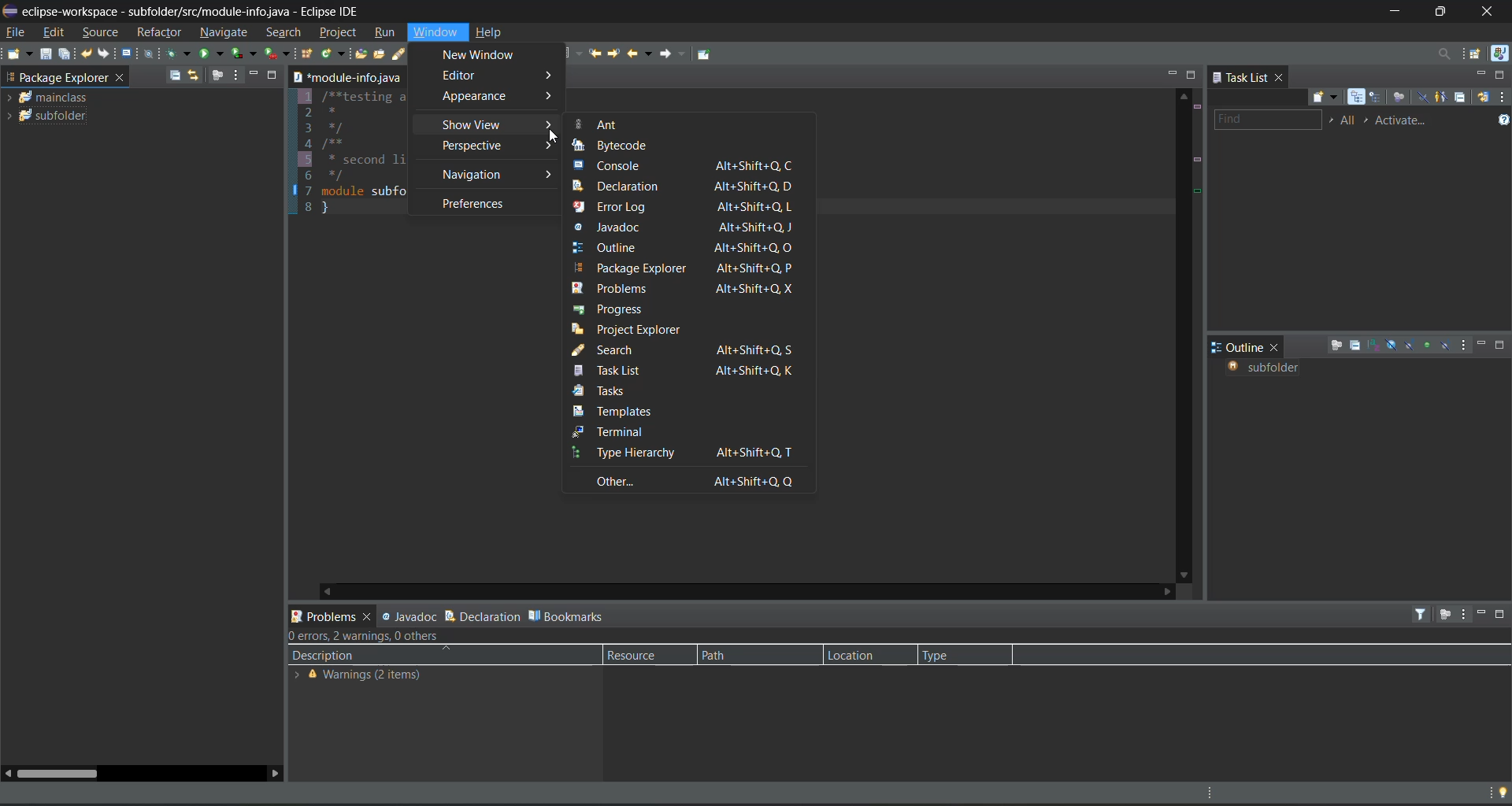 The image size is (1512, 806). What do you see at coordinates (497, 175) in the screenshot?
I see `navigation` at bounding box center [497, 175].